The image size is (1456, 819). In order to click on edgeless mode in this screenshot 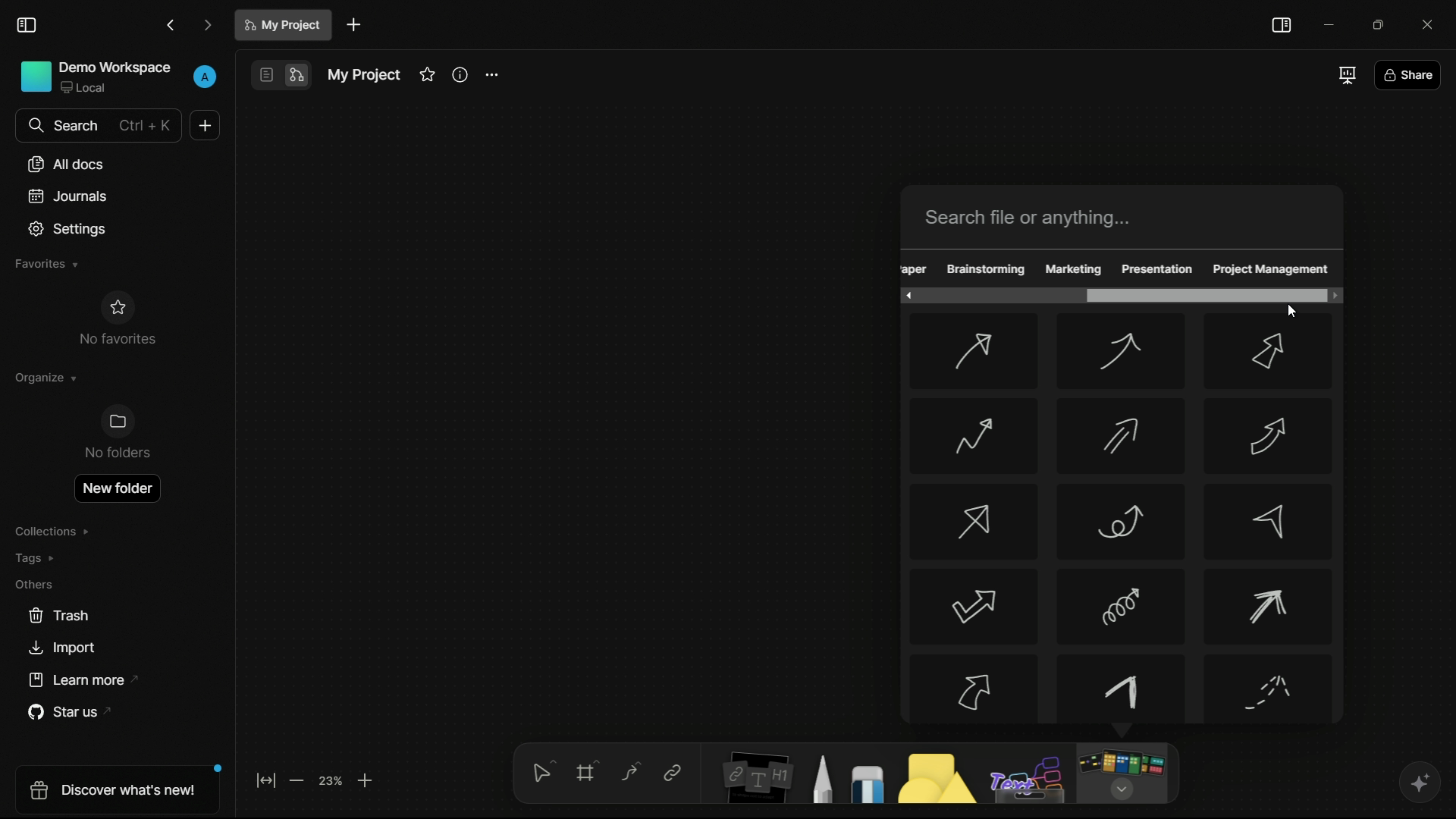, I will do `click(295, 76)`.